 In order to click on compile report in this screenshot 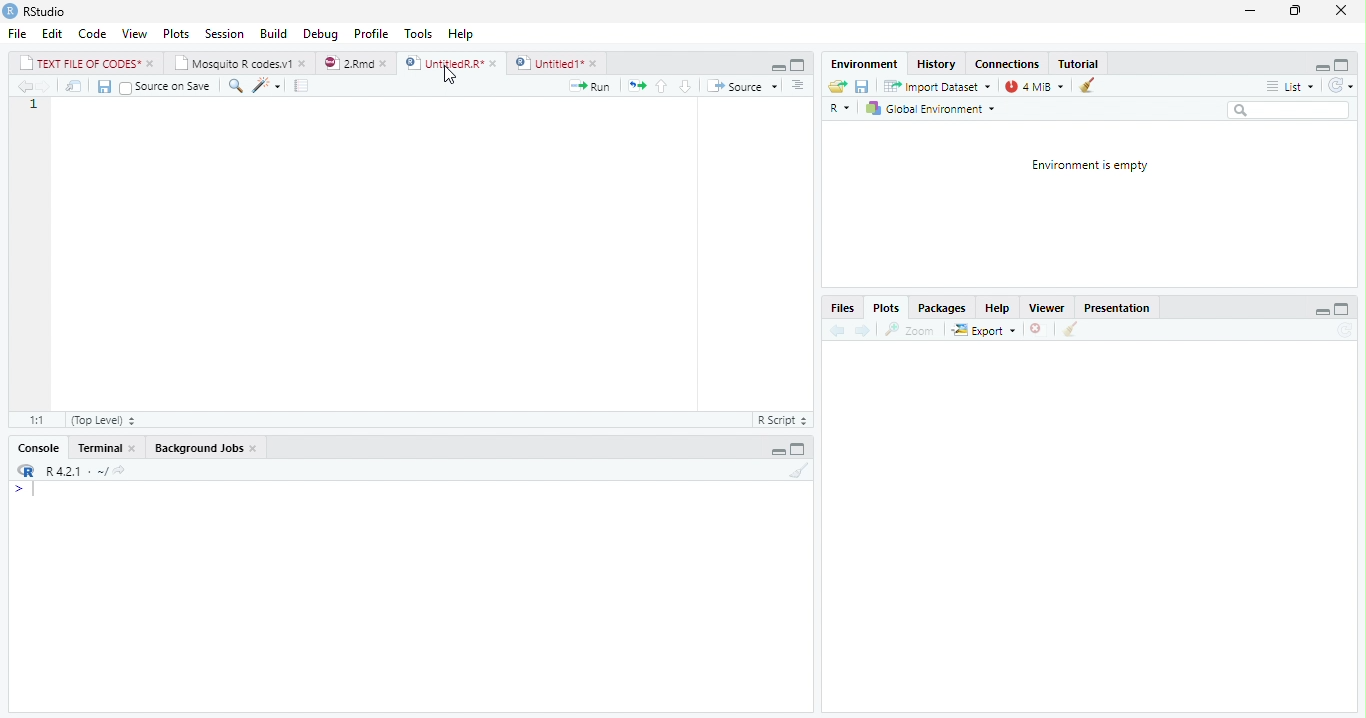, I will do `click(304, 88)`.